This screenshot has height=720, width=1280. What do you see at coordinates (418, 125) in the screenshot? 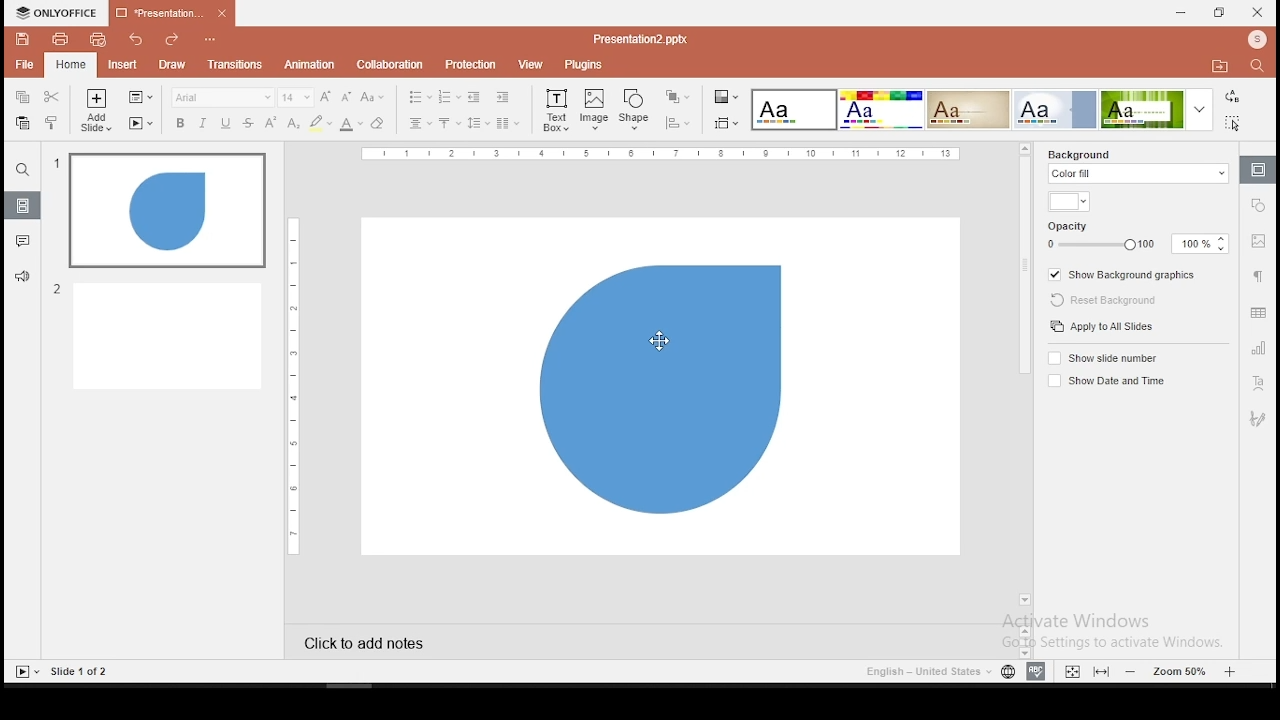
I see `horizontal align` at bounding box center [418, 125].